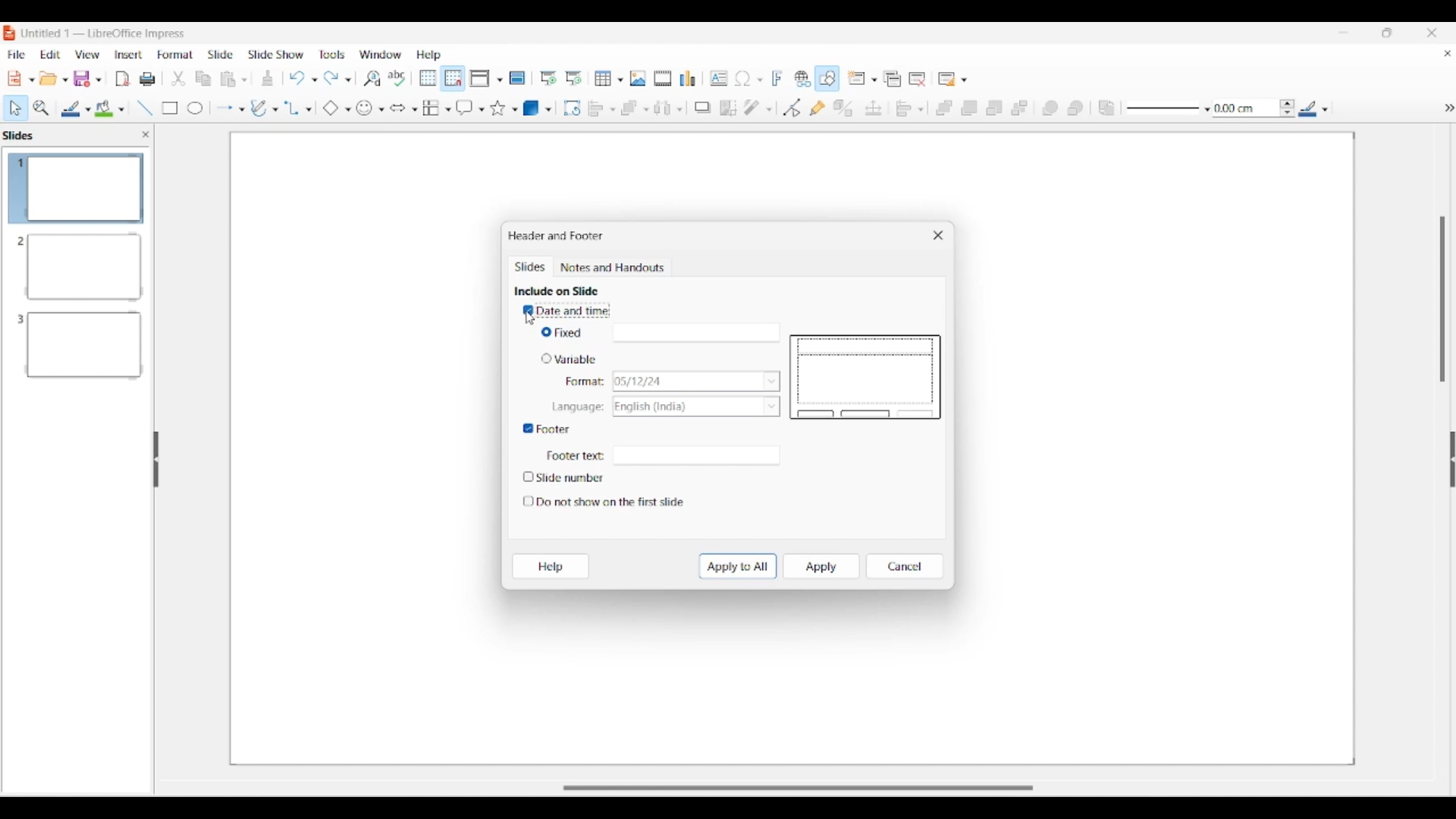 This screenshot has height=819, width=1456. Describe the element at coordinates (1075, 108) in the screenshot. I see `Behind object` at that location.